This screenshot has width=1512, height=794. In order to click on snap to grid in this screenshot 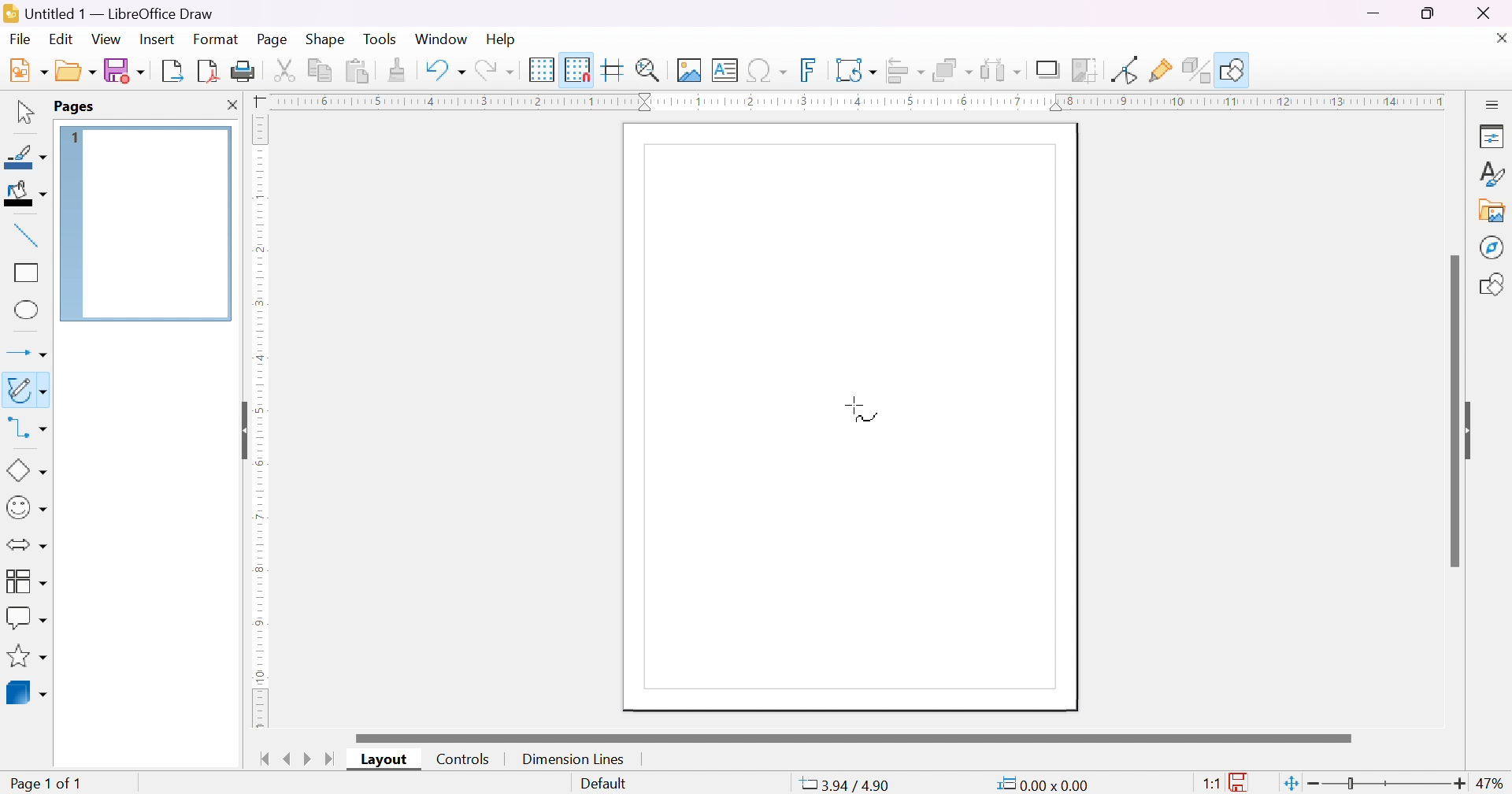, I will do `click(576, 69)`.